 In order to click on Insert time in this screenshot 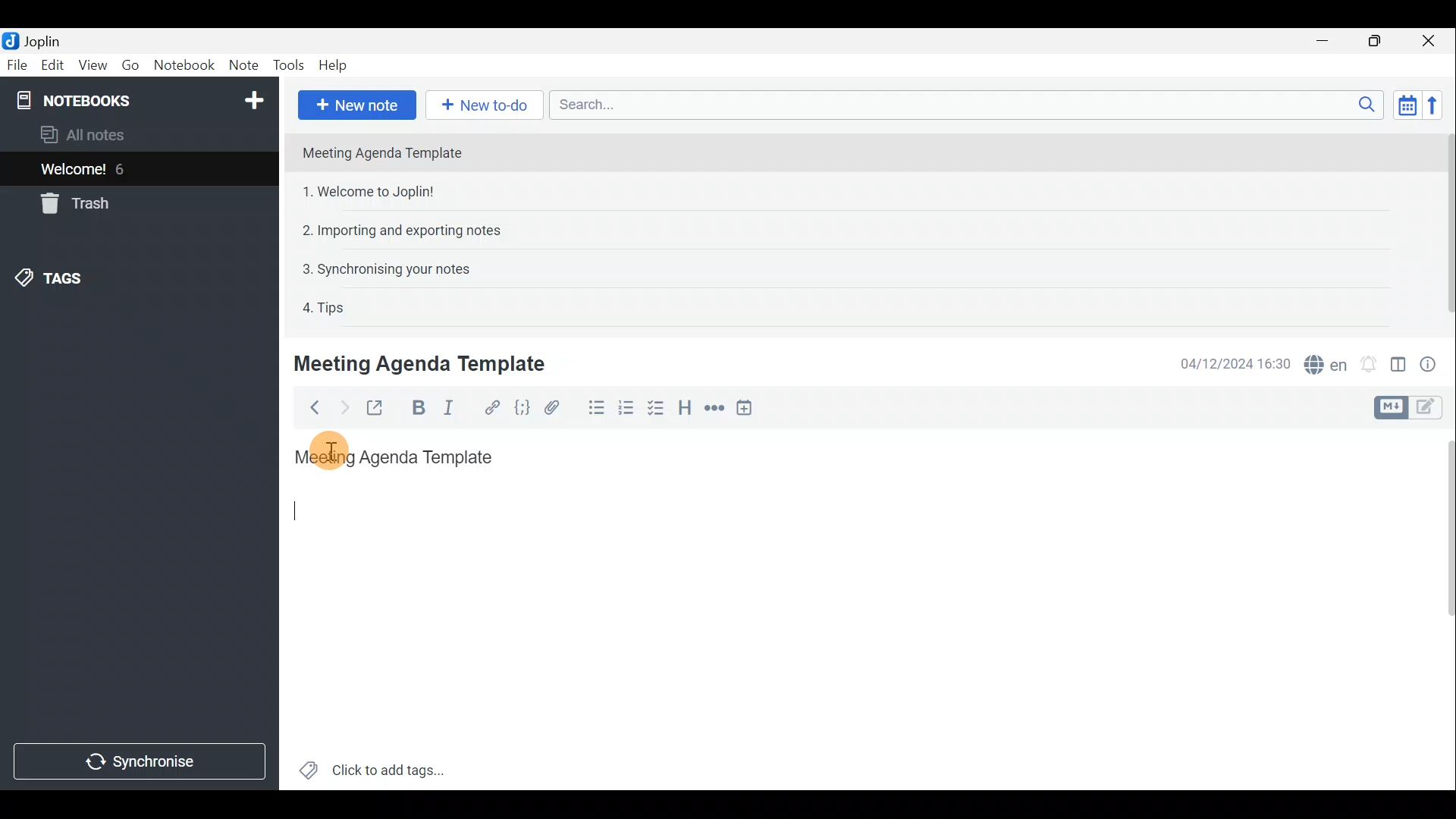, I will do `click(748, 410)`.